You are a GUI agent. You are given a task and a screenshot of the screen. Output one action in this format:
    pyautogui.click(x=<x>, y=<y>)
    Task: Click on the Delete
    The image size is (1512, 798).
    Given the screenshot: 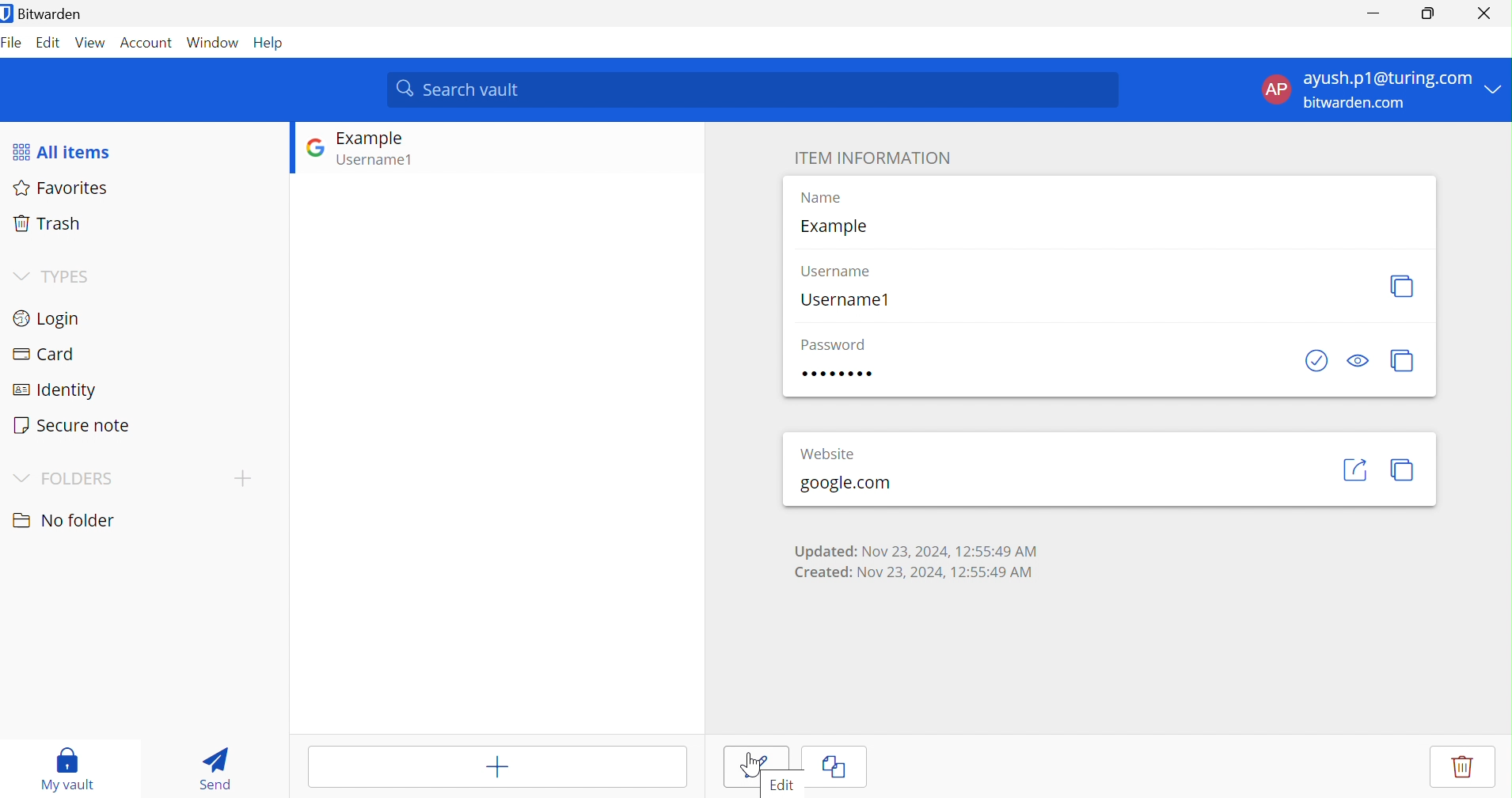 What is the action you would take?
    pyautogui.click(x=1460, y=766)
    